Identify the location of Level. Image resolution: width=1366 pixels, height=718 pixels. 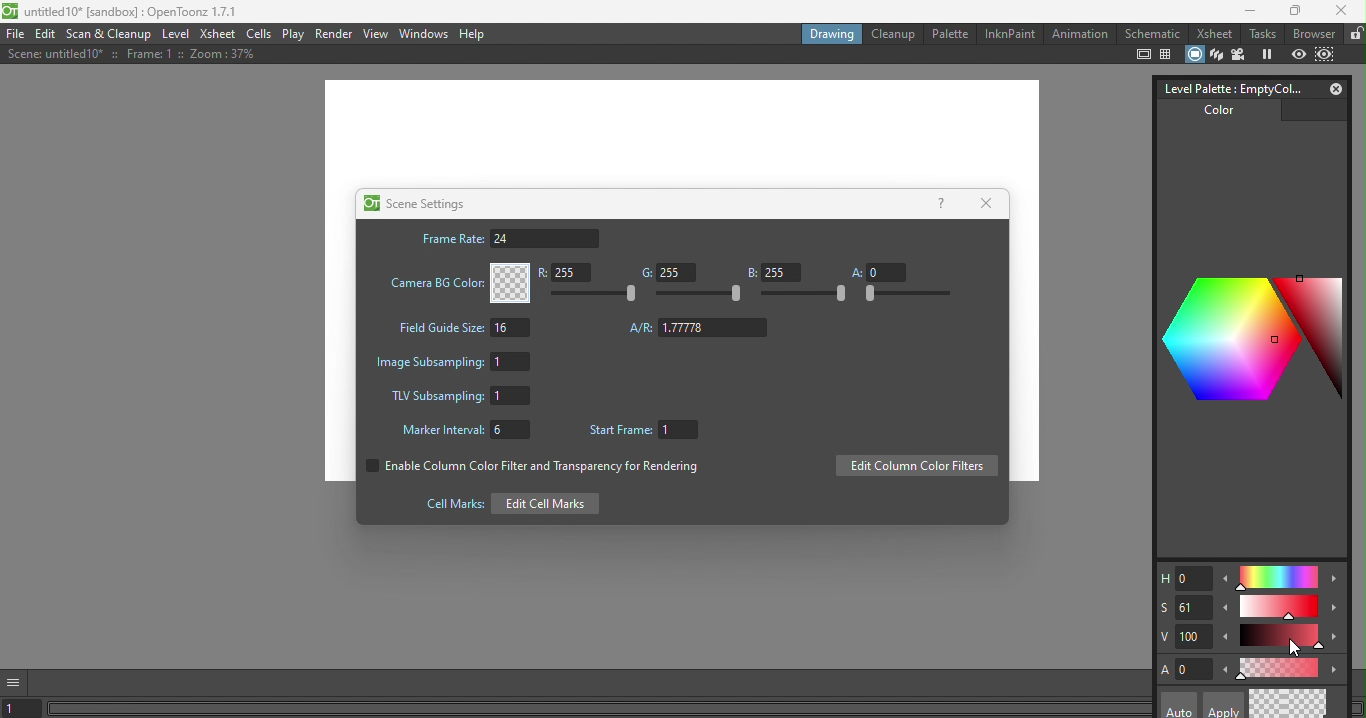
(177, 36).